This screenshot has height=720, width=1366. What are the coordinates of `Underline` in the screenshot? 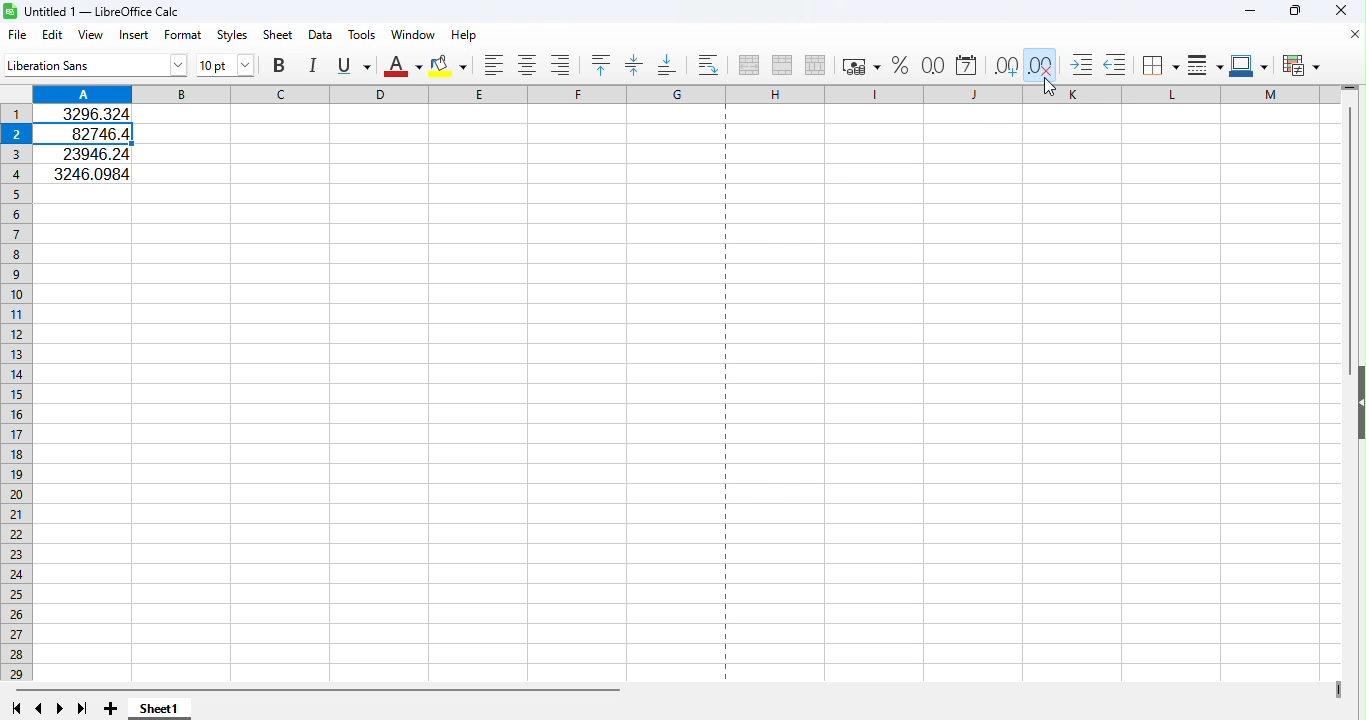 It's located at (353, 67).